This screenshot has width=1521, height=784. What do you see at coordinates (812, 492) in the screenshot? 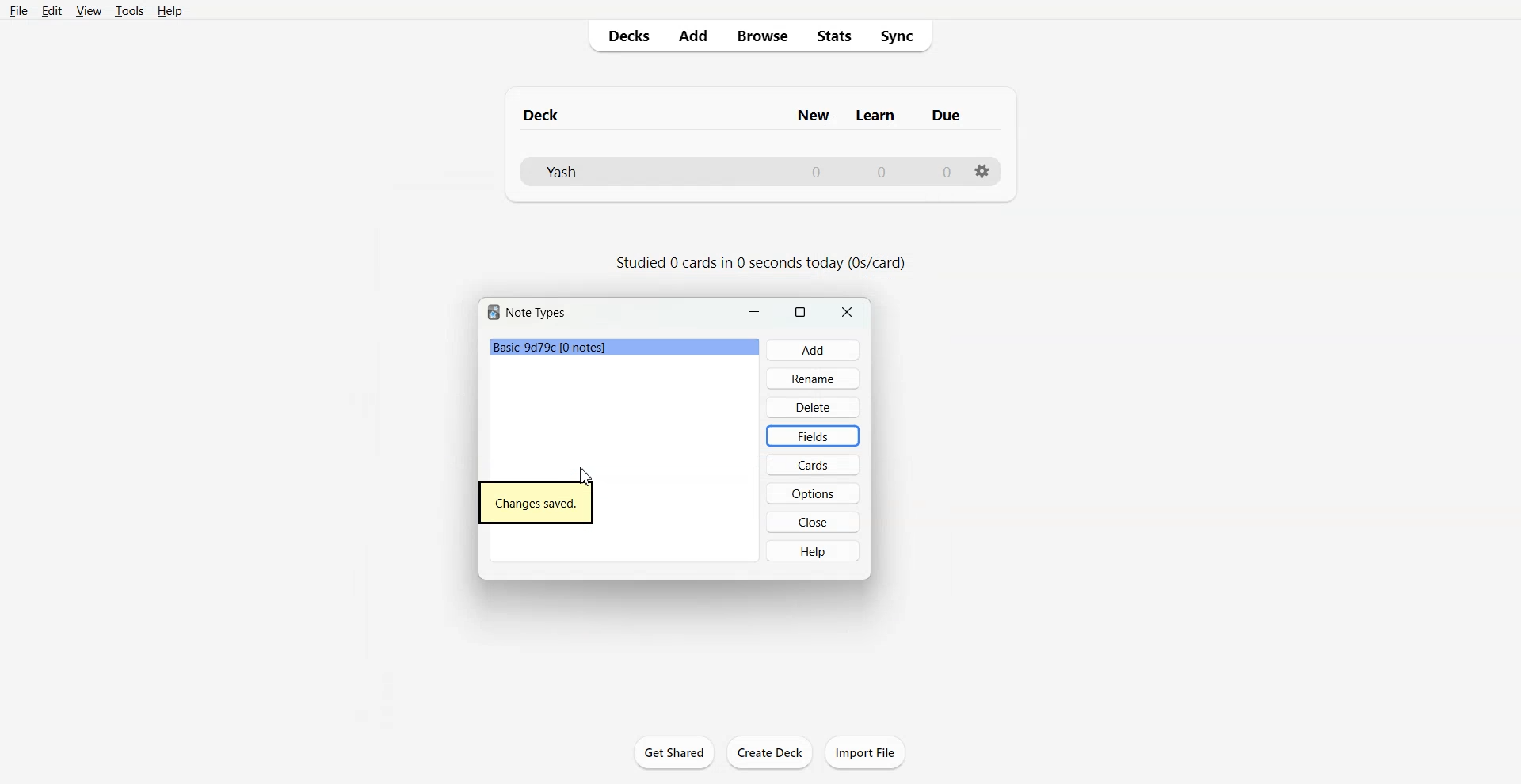
I see `Options` at bounding box center [812, 492].